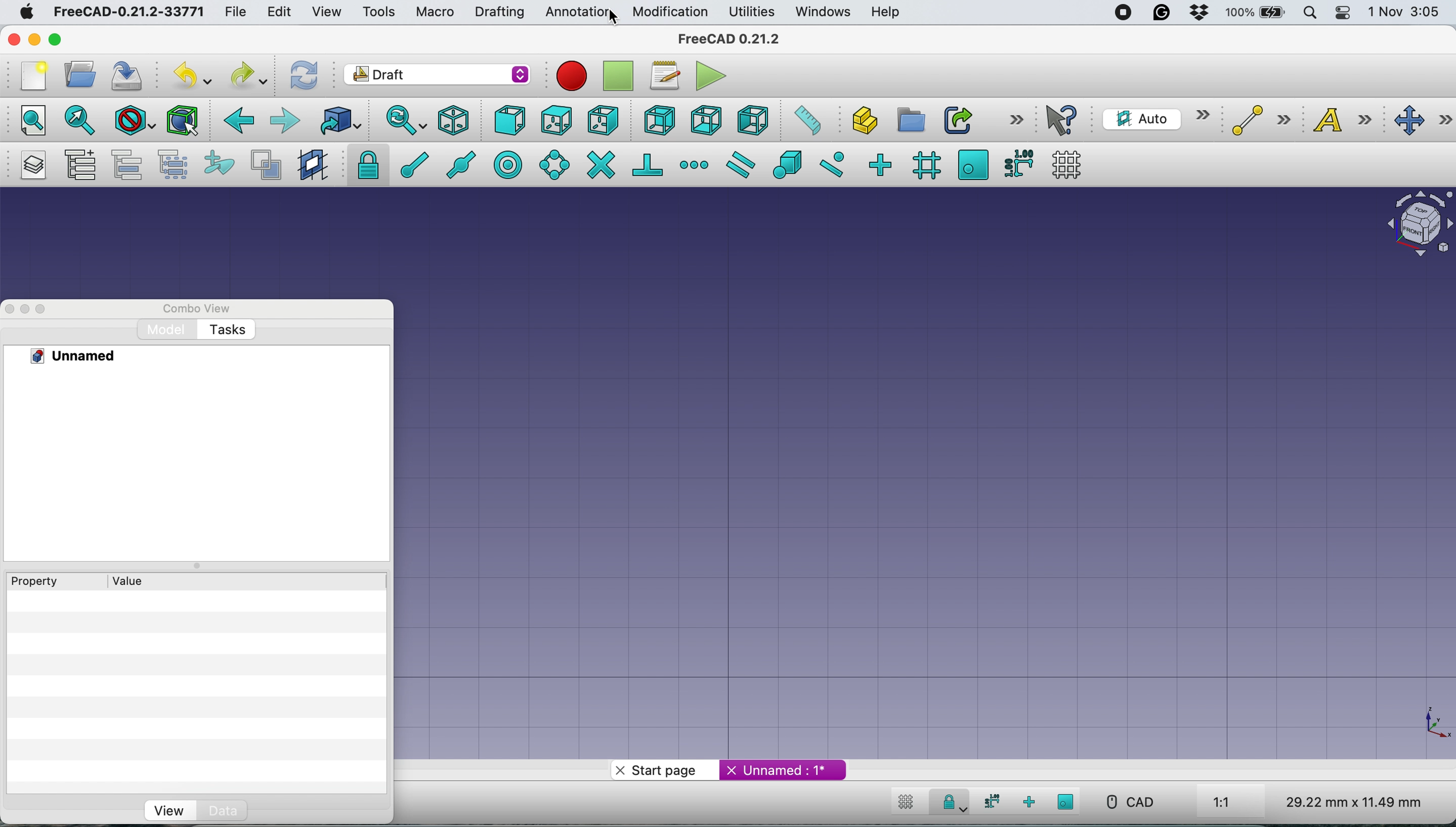 The height and width of the screenshot is (827, 1456). I want to click on workbench, so click(436, 74).